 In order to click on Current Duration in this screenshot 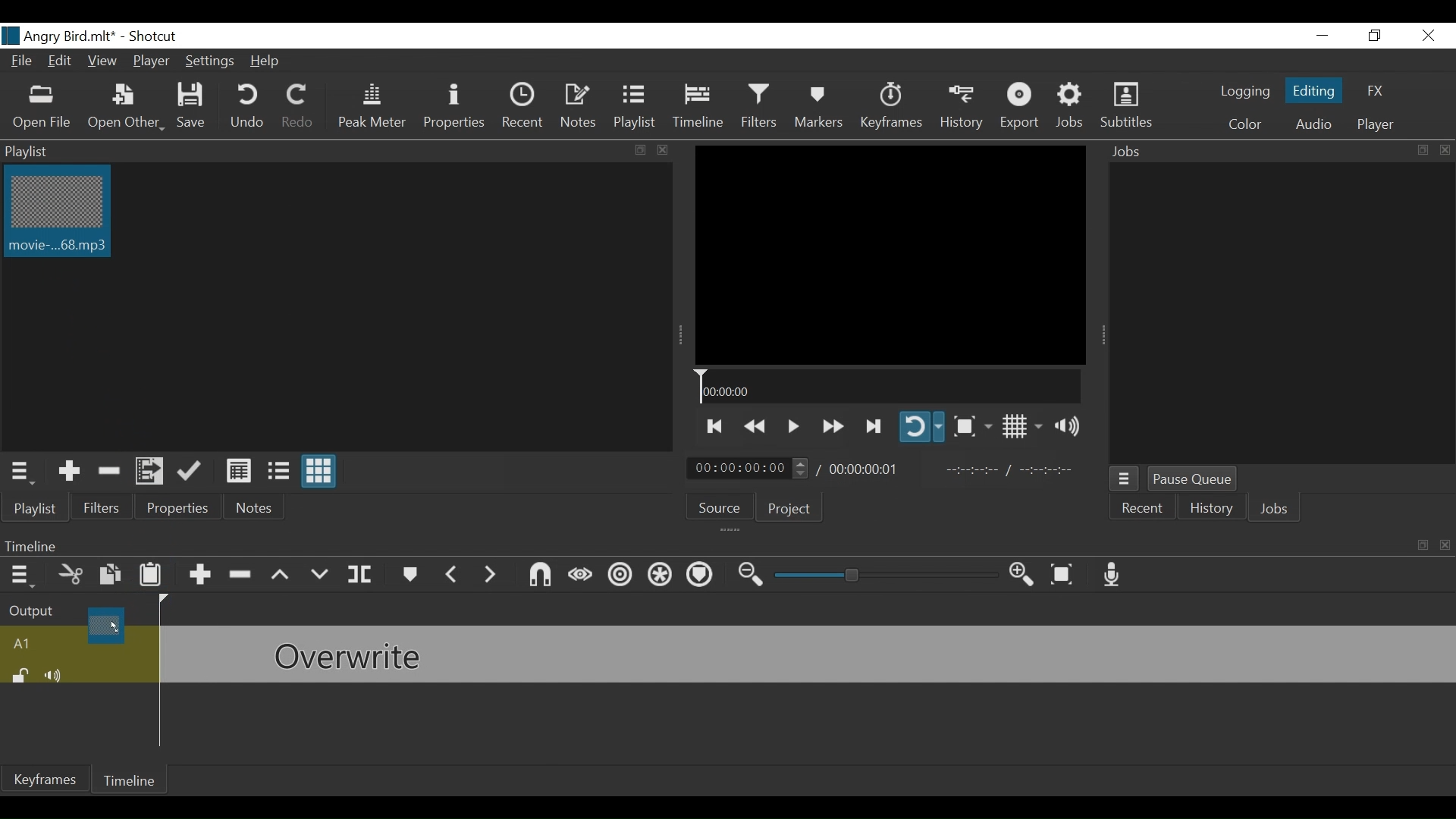, I will do `click(752, 468)`.